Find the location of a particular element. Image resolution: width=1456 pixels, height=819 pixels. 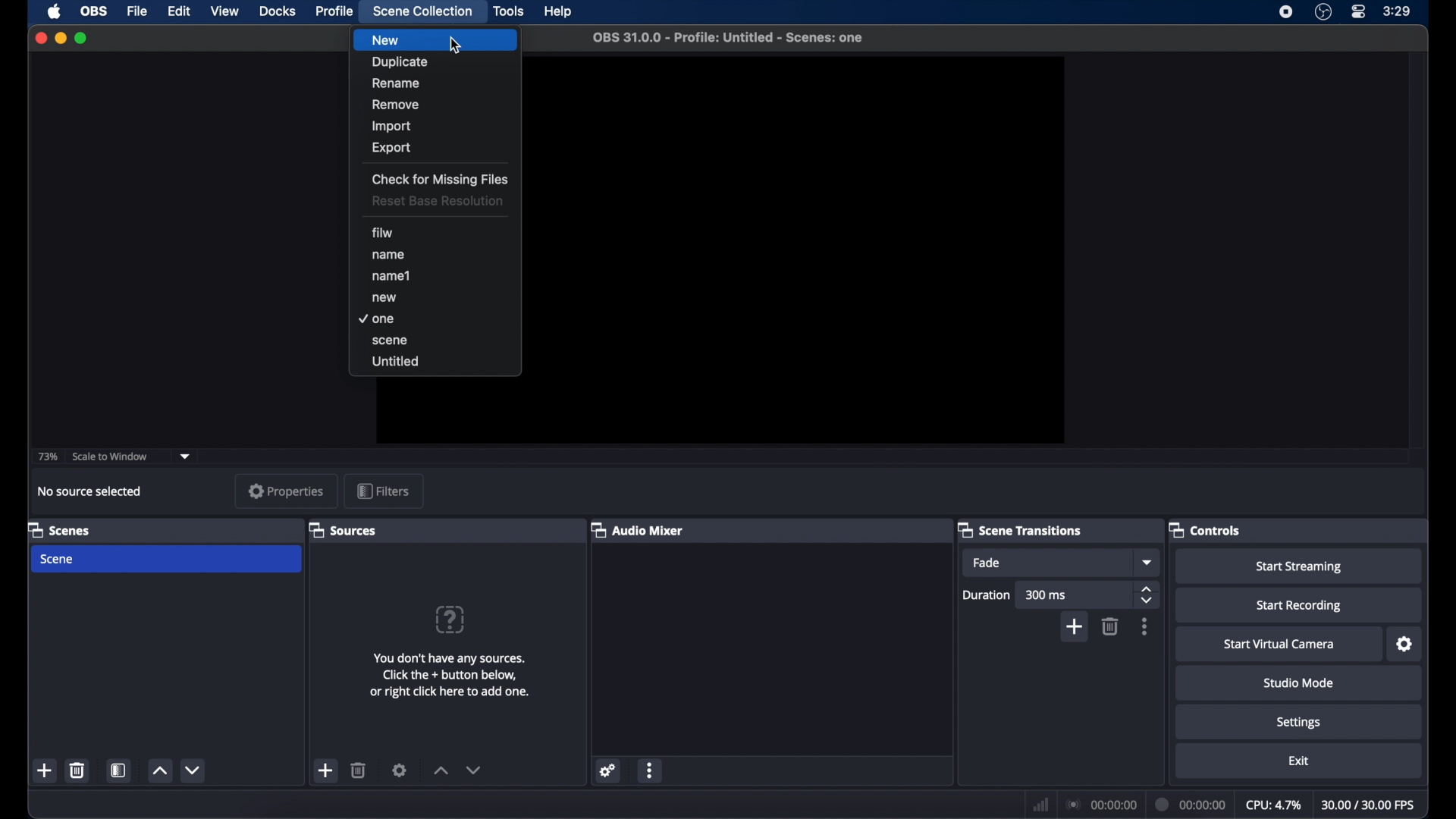

73% is located at coordinates (47, 456).